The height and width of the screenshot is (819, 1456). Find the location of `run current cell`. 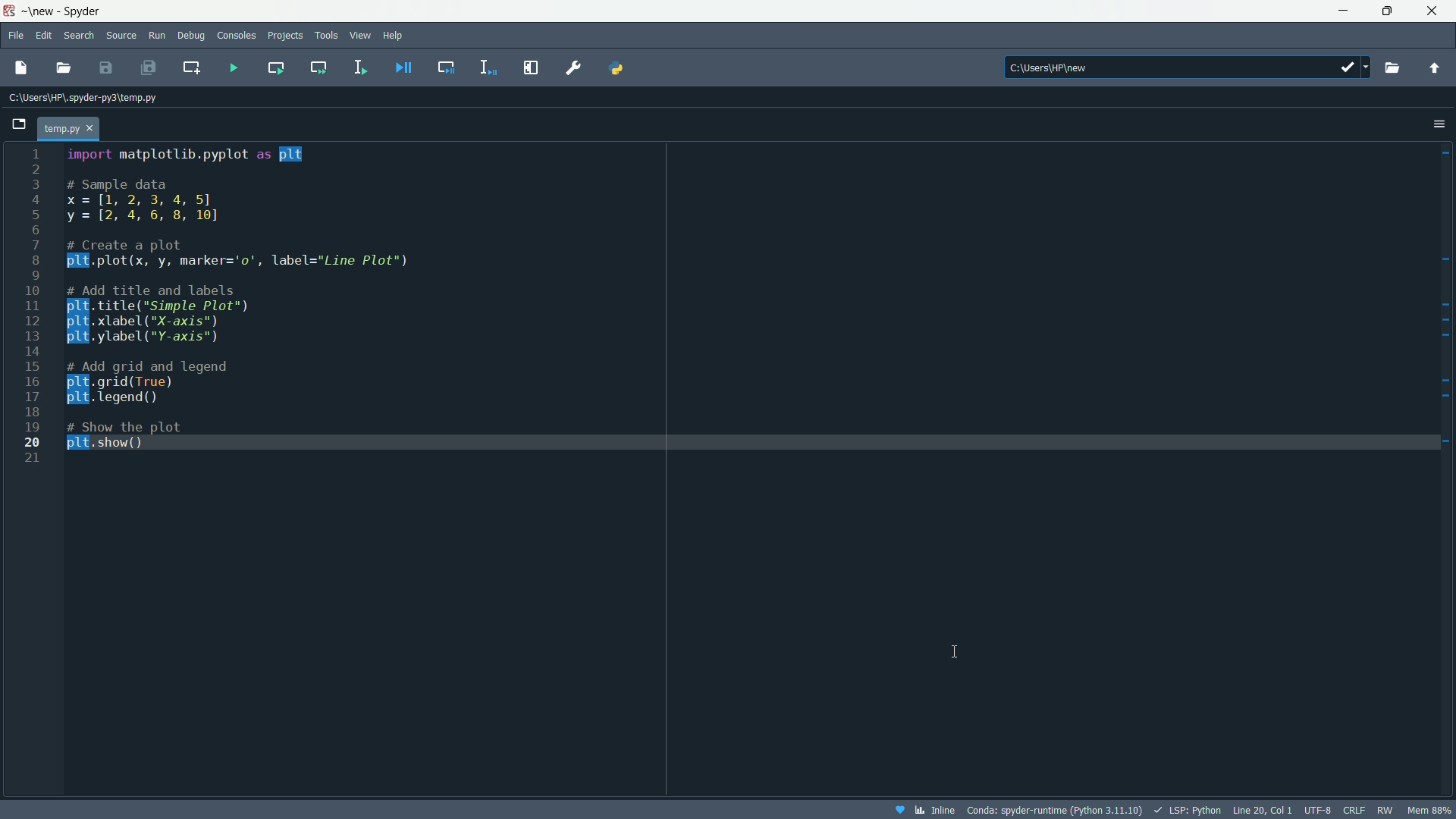

run current cell is located at coordinates (275, 67).